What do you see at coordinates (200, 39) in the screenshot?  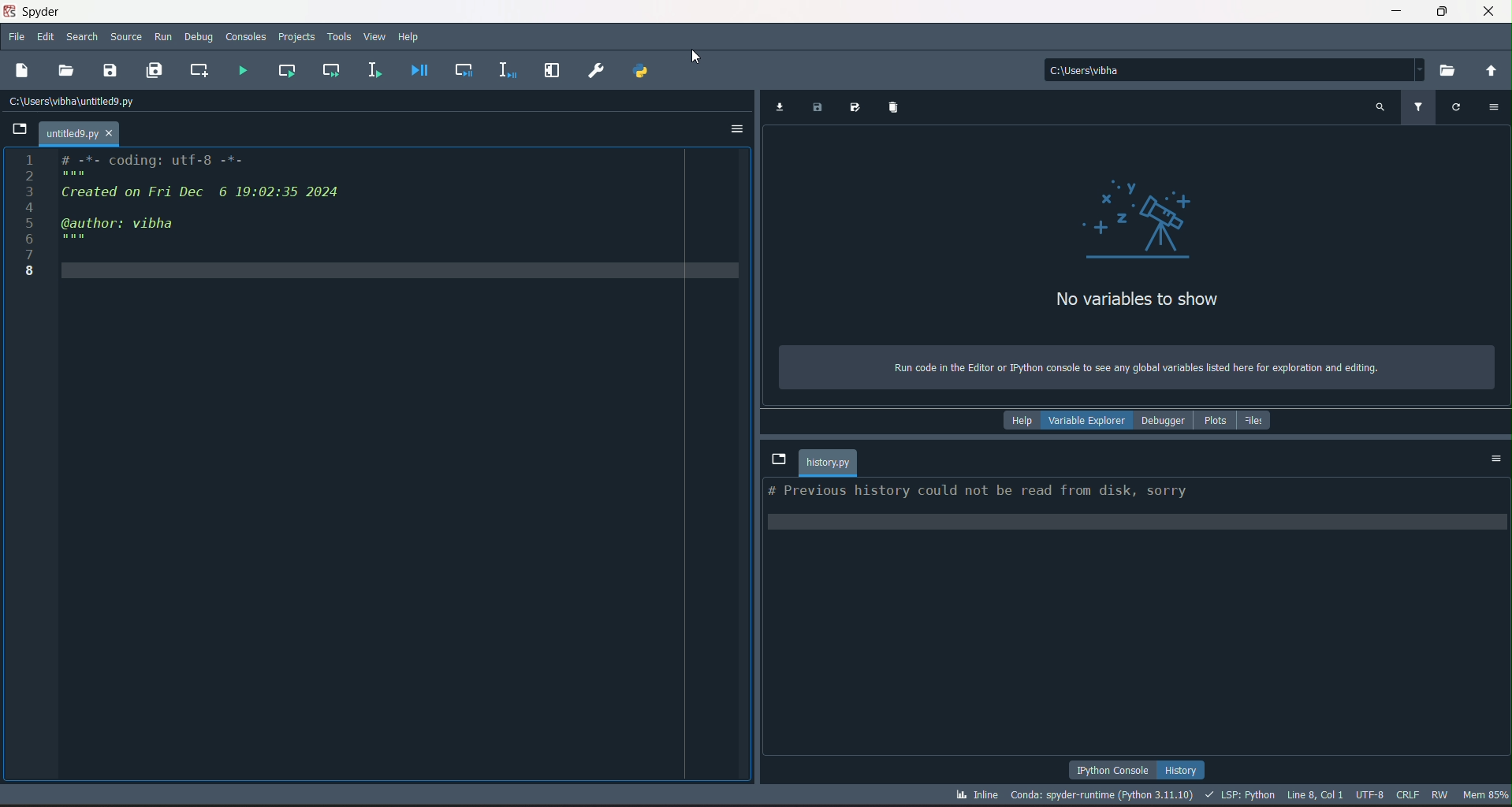 I see `debug` at bounding box center [200, 39].